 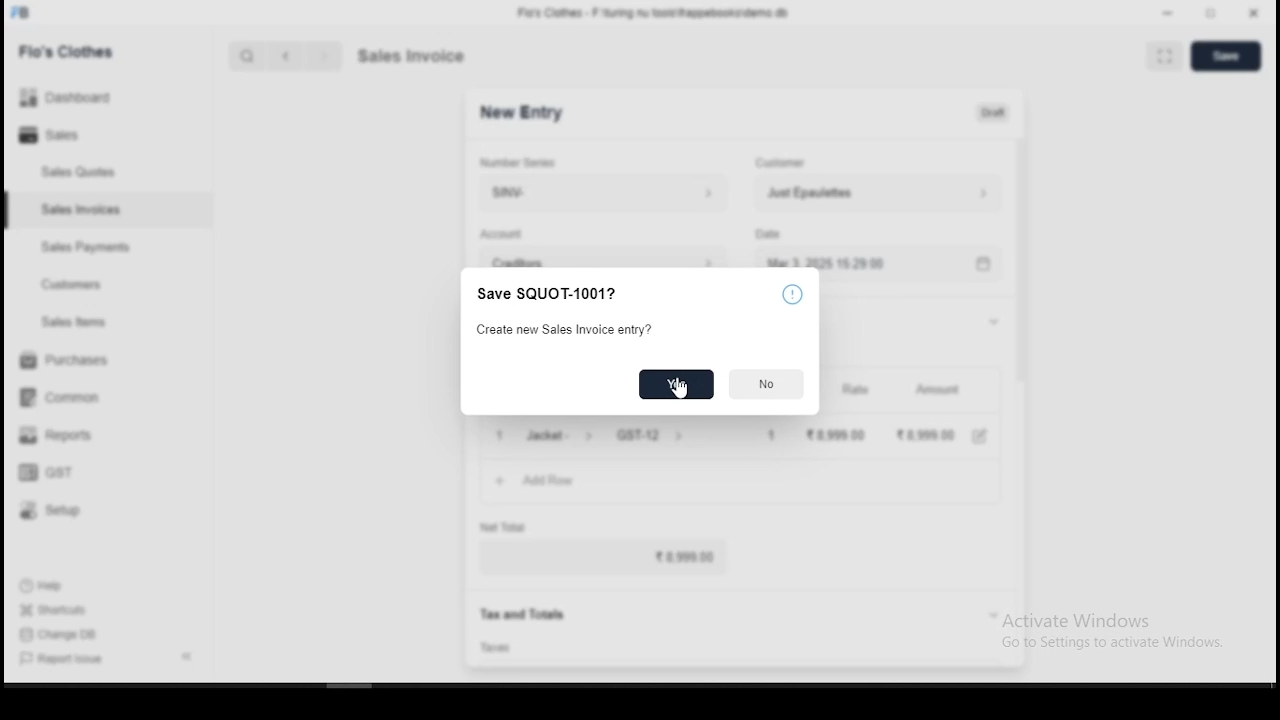 What do you see at coordinates (555, 293) in the screenshot?
I see `Save SQUOT-1001?` at bounding box center [555, 293].